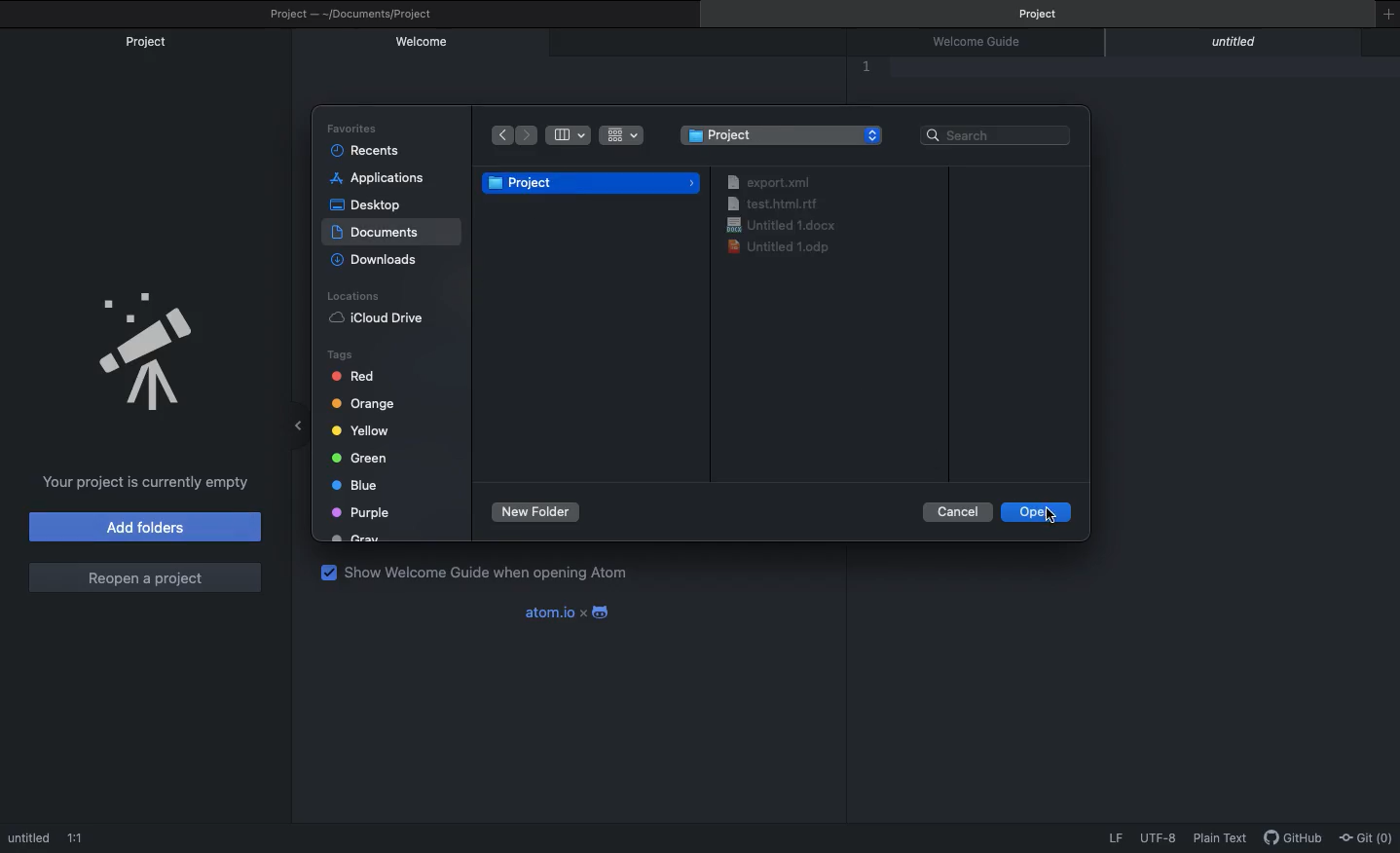 This screenshot has width=1400, height=853. What do you see at coordinates (382, 178) in the screenshot?
I see `Applications` at bounding box center [382, 178].